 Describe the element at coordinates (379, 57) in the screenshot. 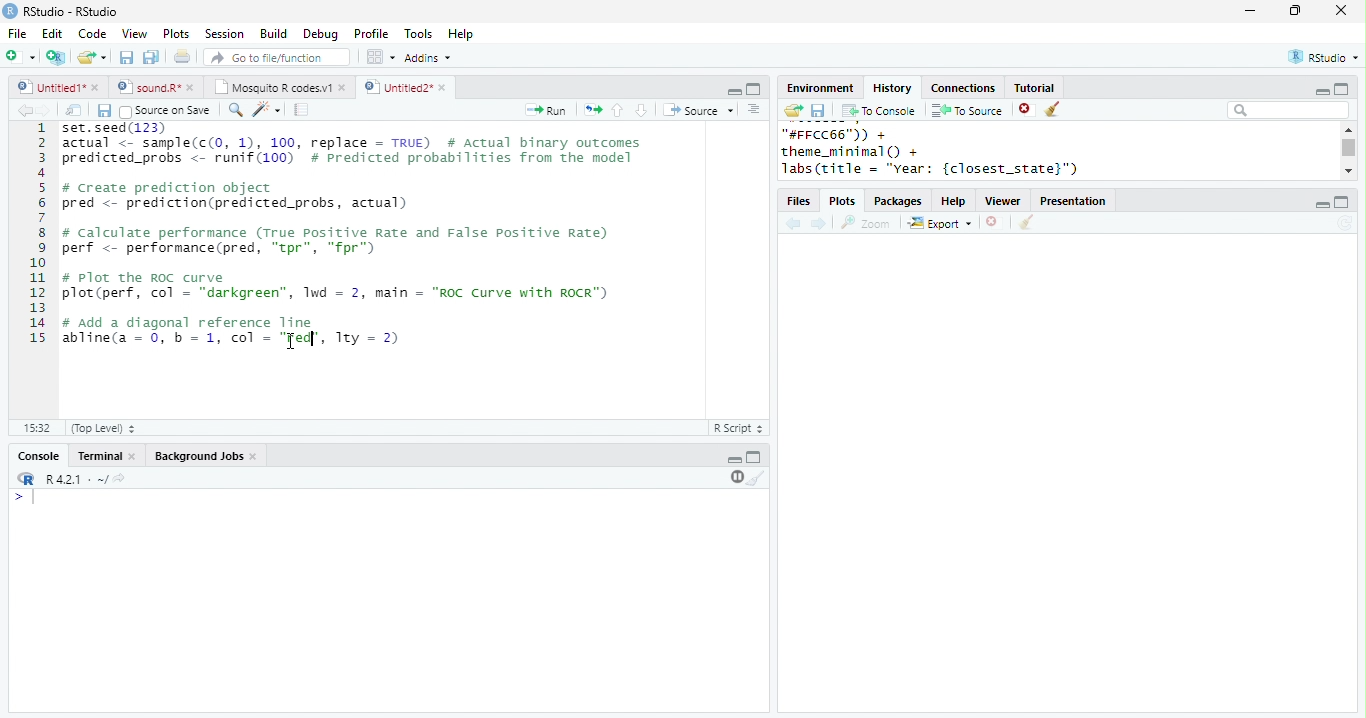

I see `options` at that location.